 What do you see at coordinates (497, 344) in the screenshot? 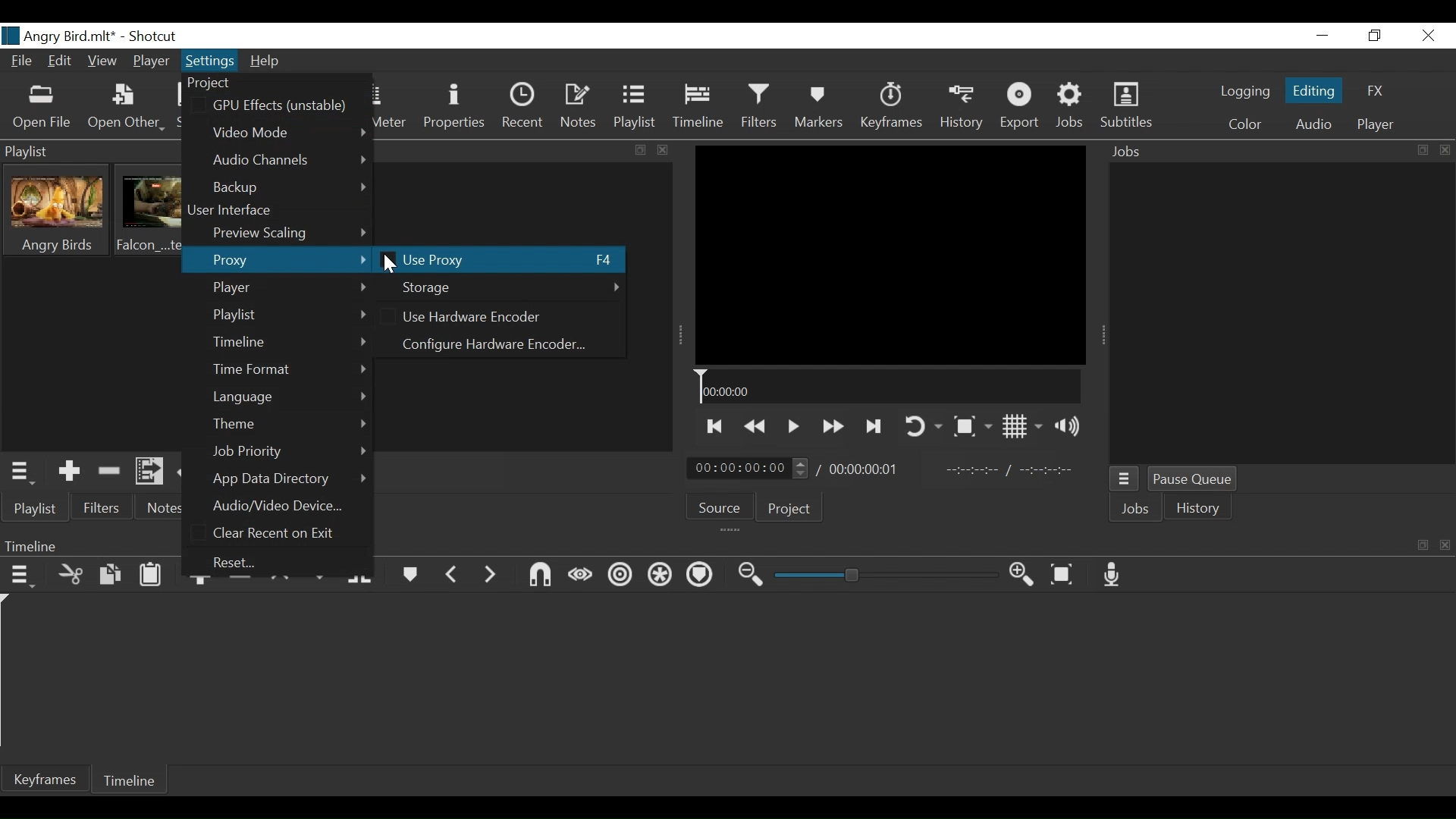
I see `Configure Hardware Encoder` at bounding box center [497, 344].